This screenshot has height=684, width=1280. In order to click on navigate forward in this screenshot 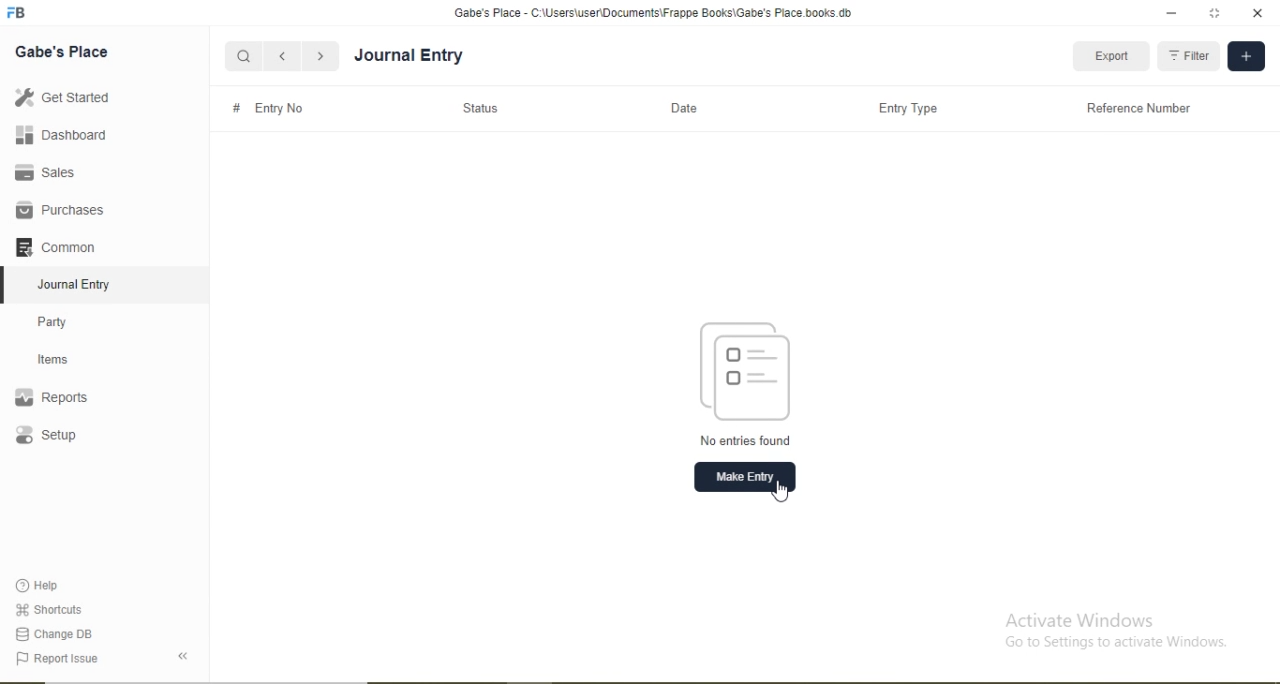, I will do `click(322, 56)`.